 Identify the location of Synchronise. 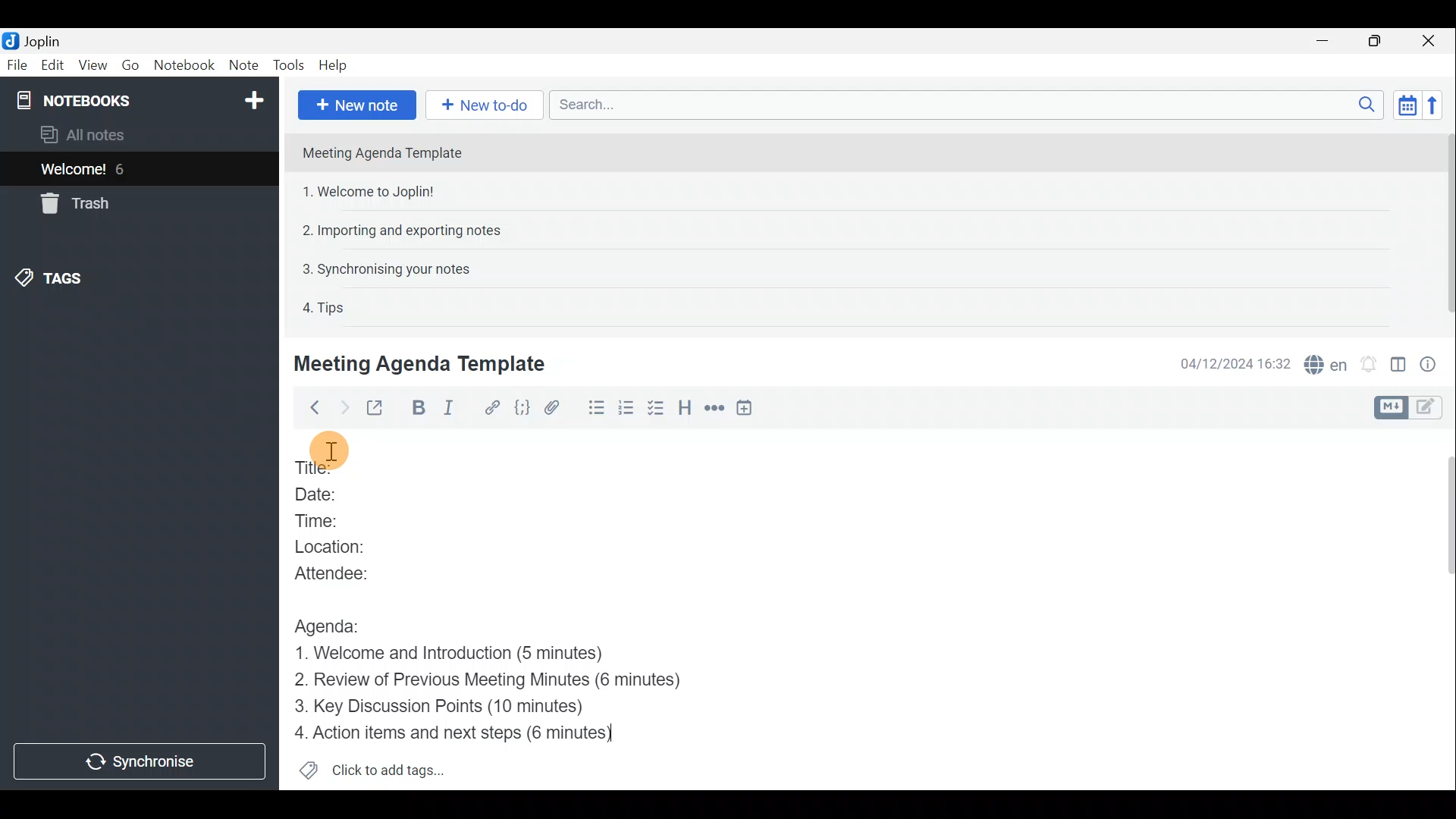
(140, 760).